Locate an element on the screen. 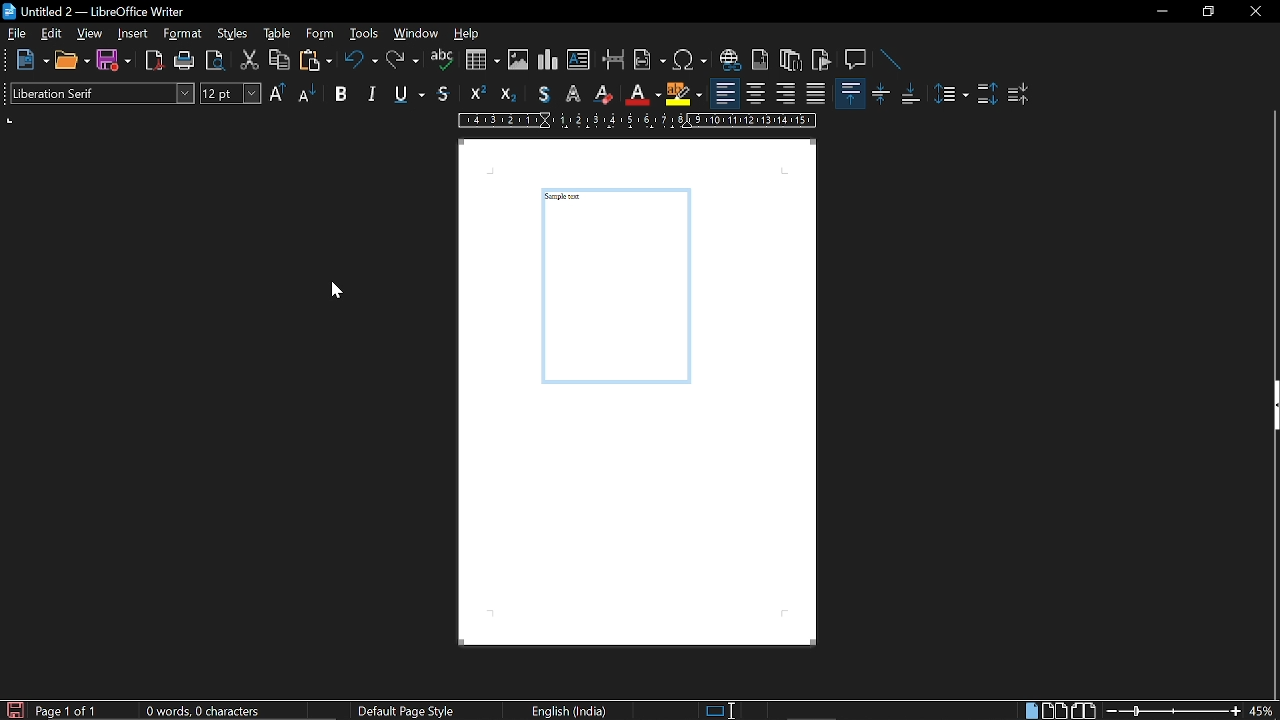 This screenshot has width=1280, height=720. English(India) is located at coordinates (572, 710).